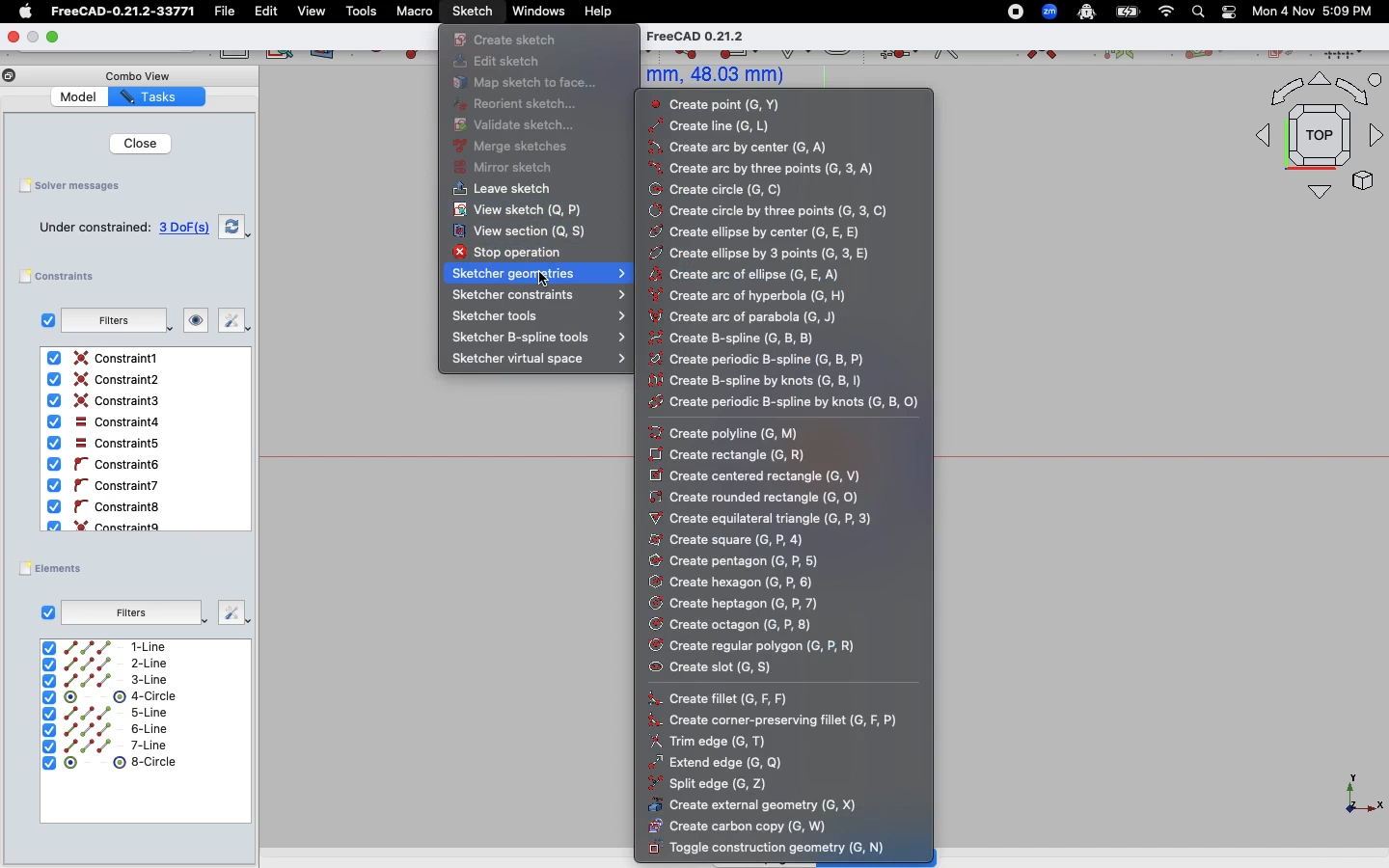  What do you see at coordinates (520, 210) in the screenshot?
I see `View sketch` at bounding box center [520, 210].